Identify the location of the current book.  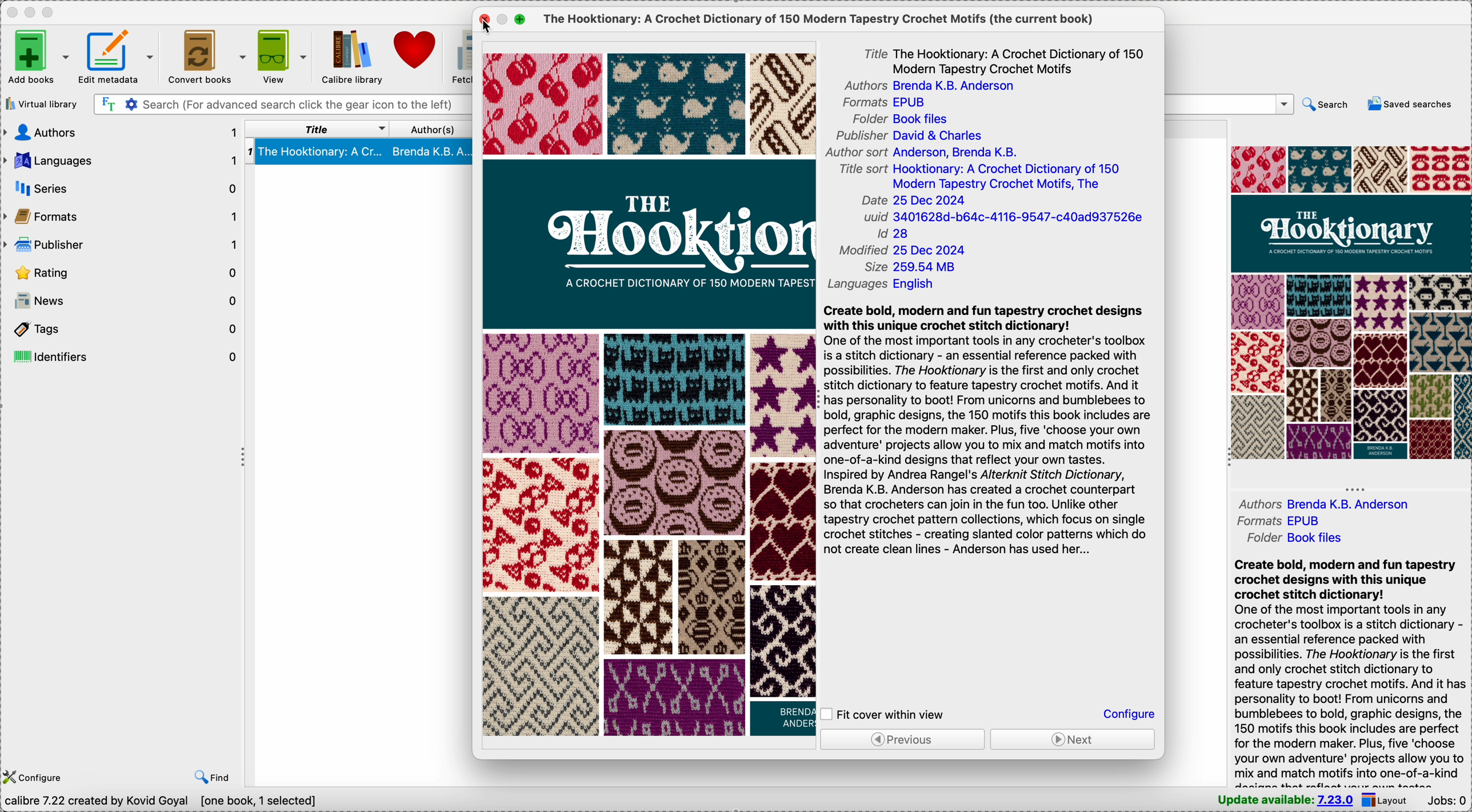
(819, 19).